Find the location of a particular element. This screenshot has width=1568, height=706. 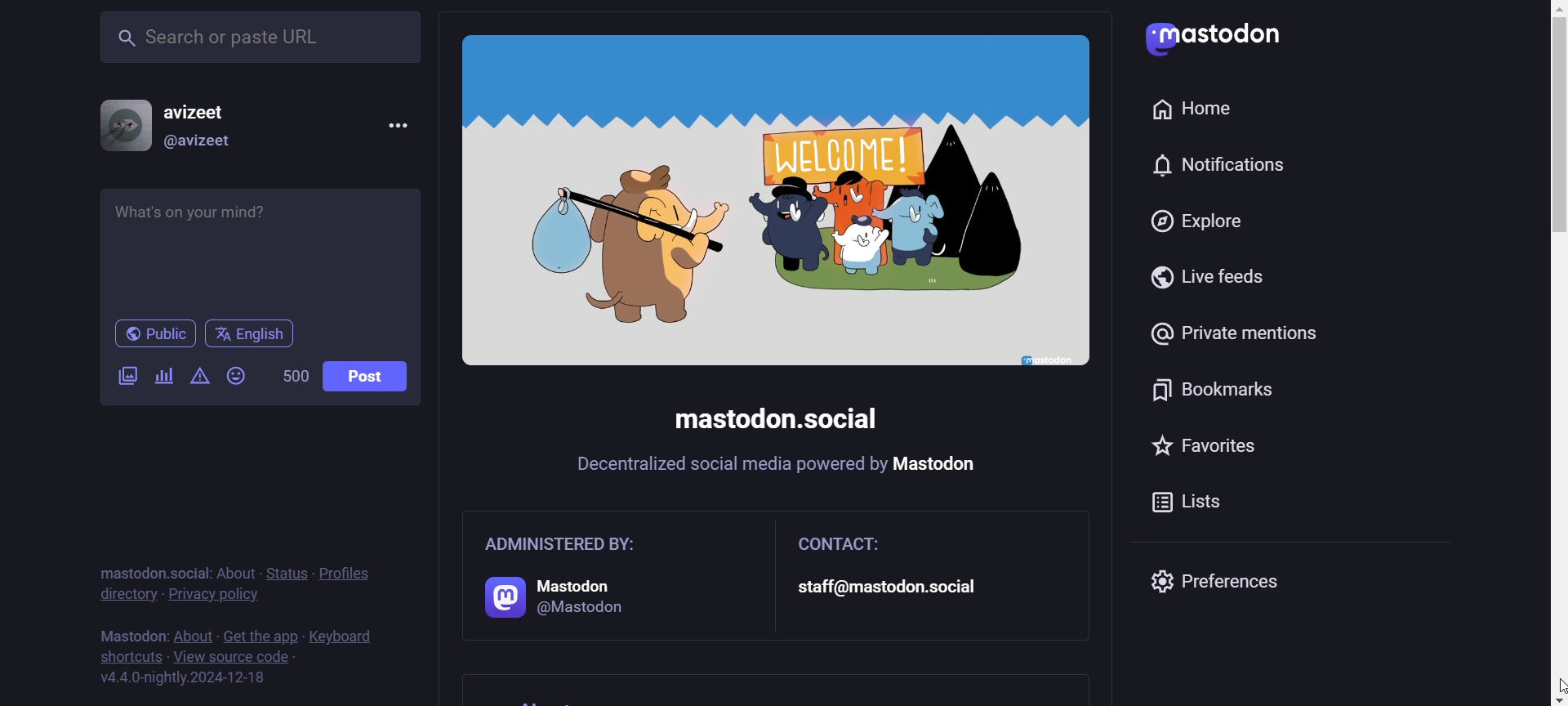

privacy policy is located at coordinates (216, 598).